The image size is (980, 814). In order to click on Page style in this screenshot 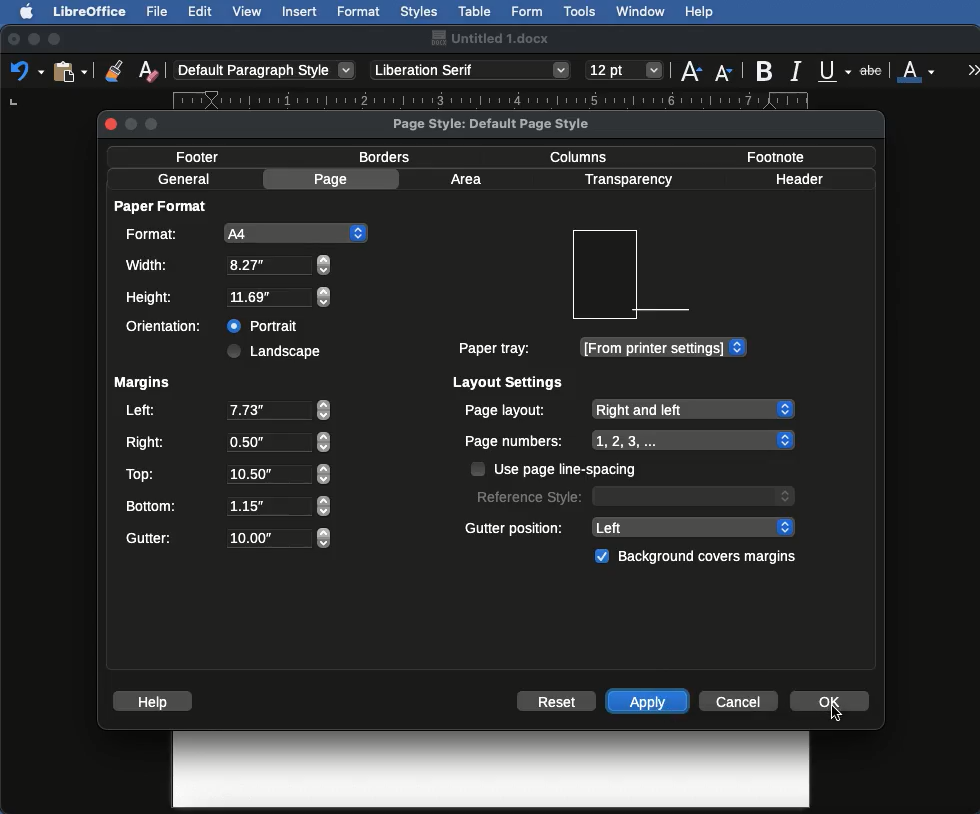, I will do `click(508, 123)`.